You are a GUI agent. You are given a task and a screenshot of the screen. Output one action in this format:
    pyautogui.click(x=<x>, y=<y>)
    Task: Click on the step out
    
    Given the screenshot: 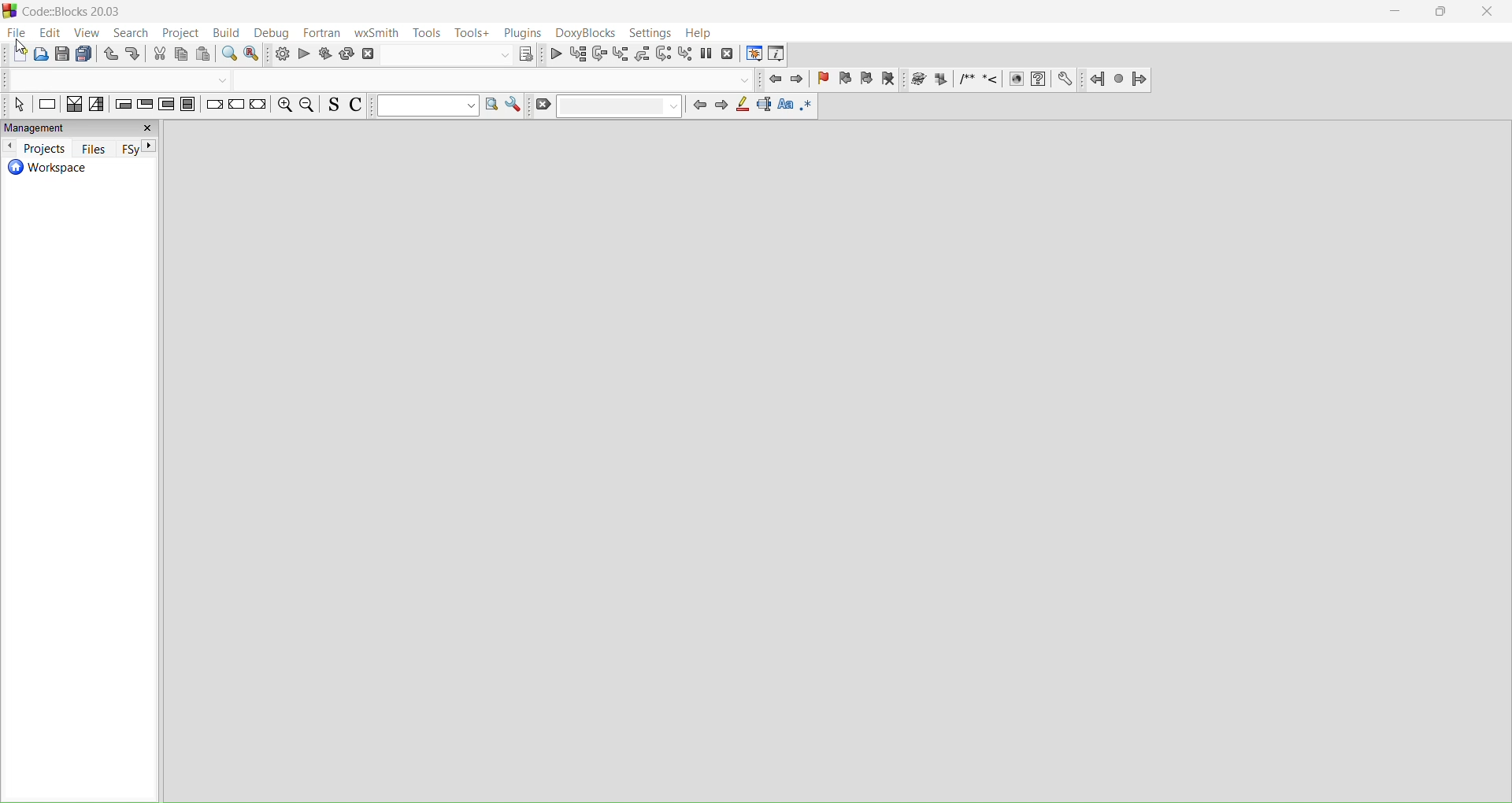 What is the action you would take?
    pyautogui.click(x=641, y=55)
    